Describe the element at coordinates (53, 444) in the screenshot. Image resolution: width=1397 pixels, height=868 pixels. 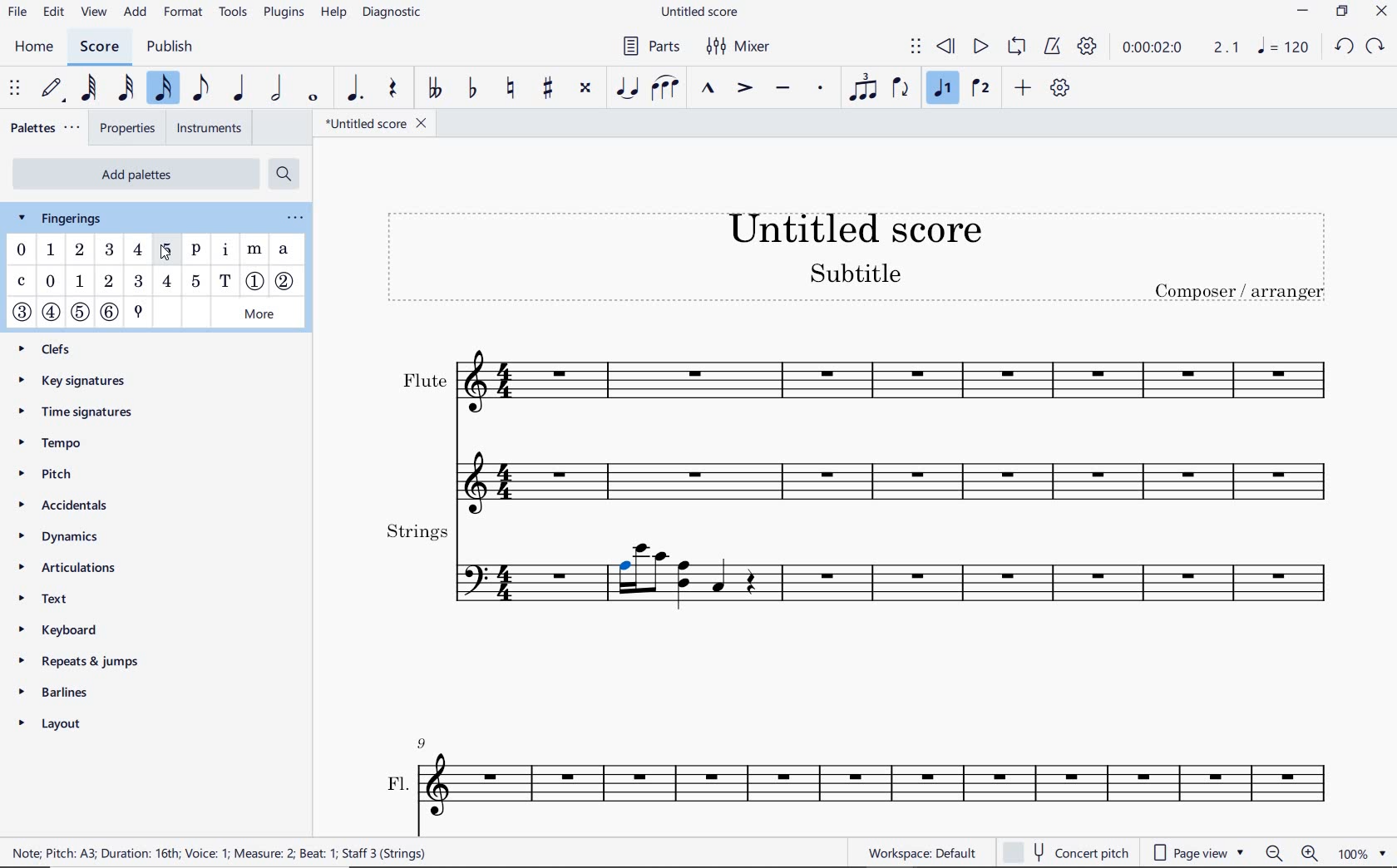
I see `tempo` at that location.